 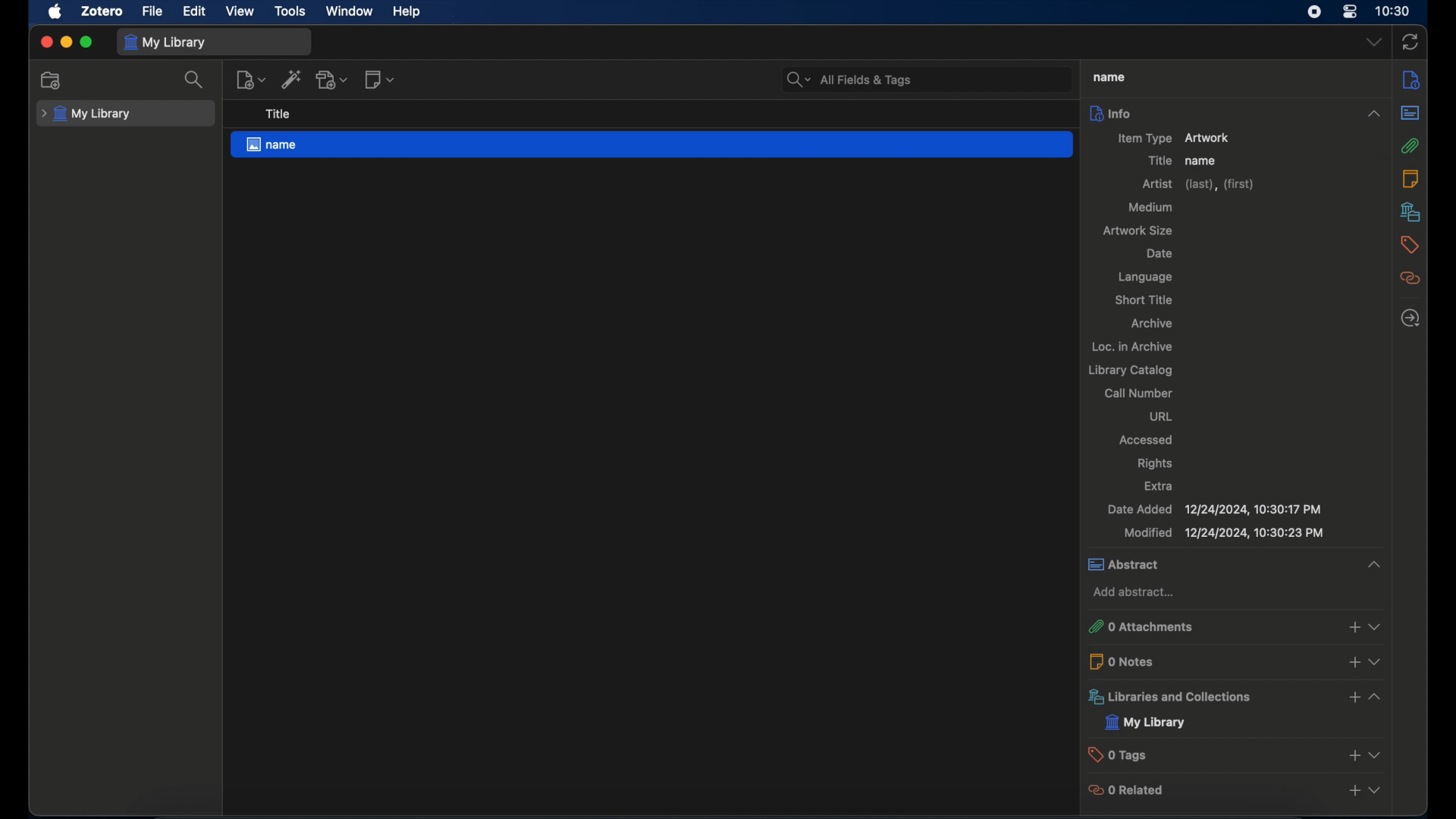 I want to click on file, so click(x=152, y=11).